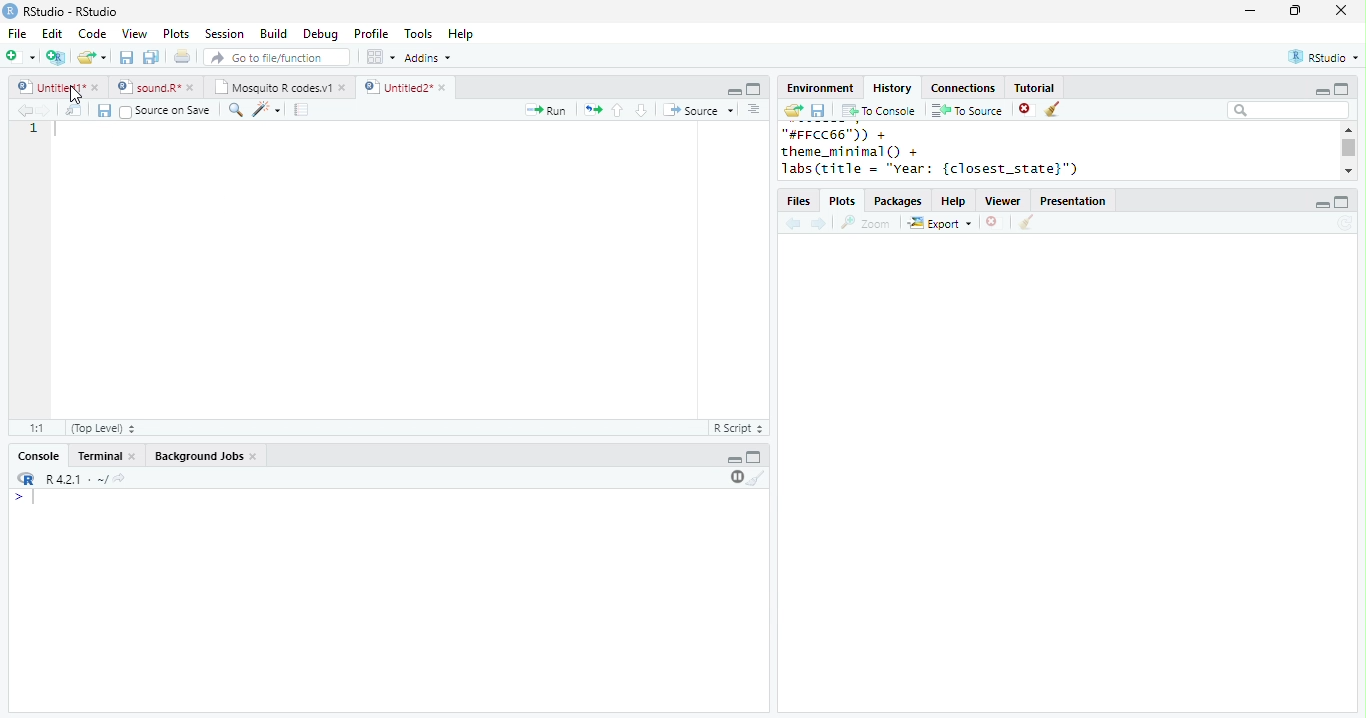  What do you see at coordinates (164, 111) in the screenshot?
I see `Source on Save` at bounding box center [164, 111].